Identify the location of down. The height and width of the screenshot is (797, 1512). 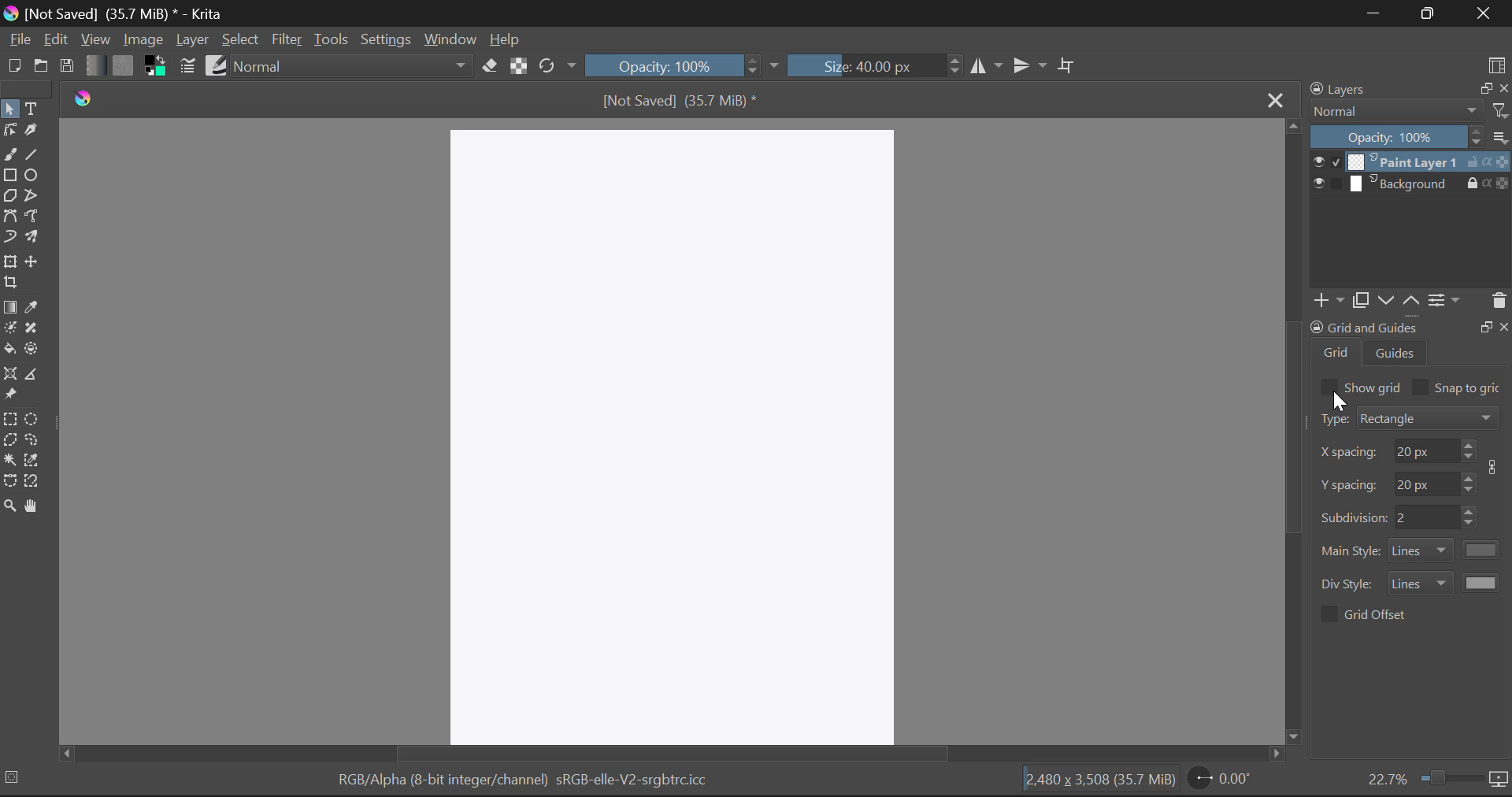
(1384, 300).